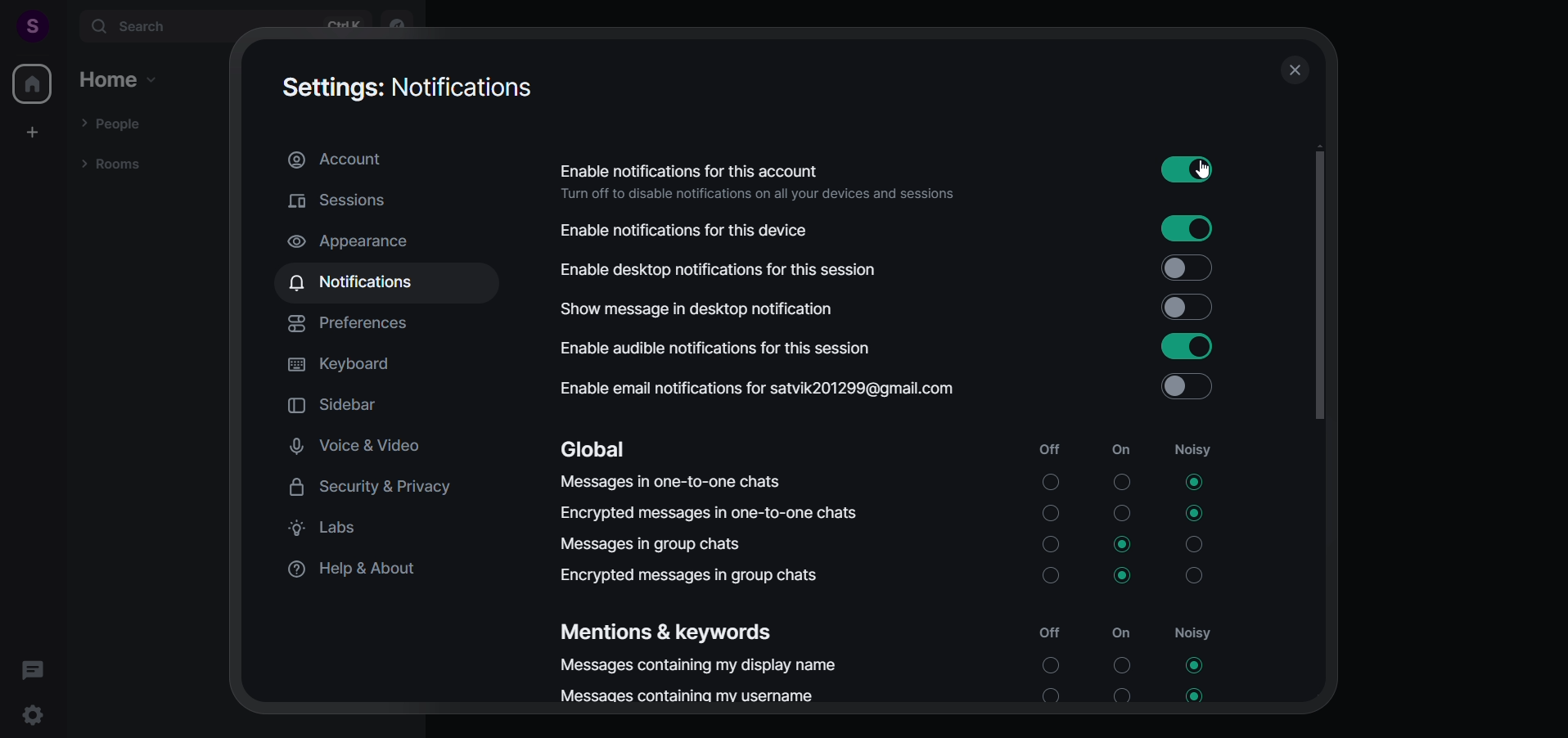 The height and width of the screenshot is (738, 1568). What do you see at coordinates (1046, 630) in the screenshot?
I see `off` at bounding box center [1046, 630].